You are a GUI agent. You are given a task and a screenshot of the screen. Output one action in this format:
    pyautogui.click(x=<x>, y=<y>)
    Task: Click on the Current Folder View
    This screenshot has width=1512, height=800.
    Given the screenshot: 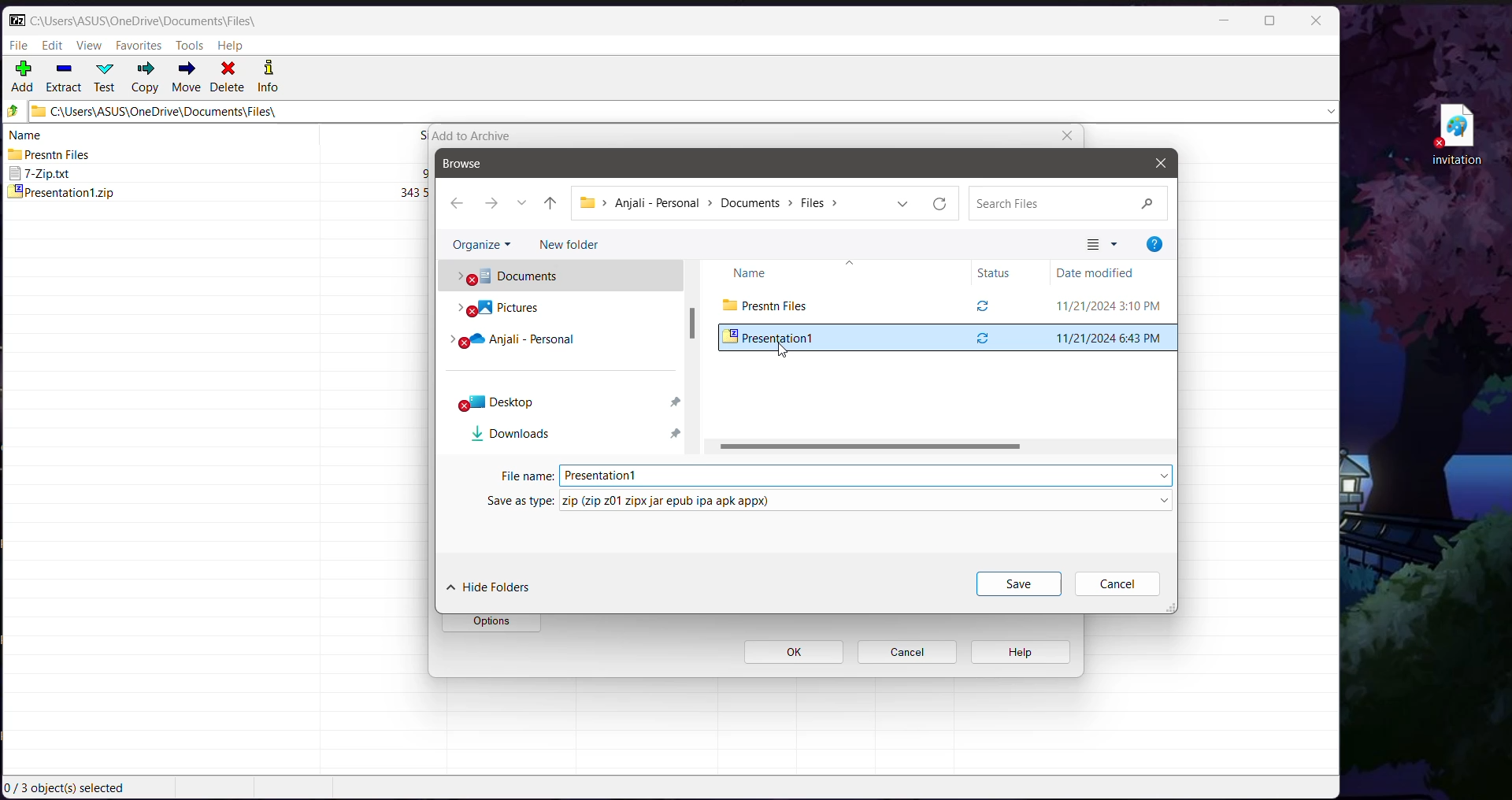 What is the action you would take?
    pyautogui.click(x=938, y=305)
    